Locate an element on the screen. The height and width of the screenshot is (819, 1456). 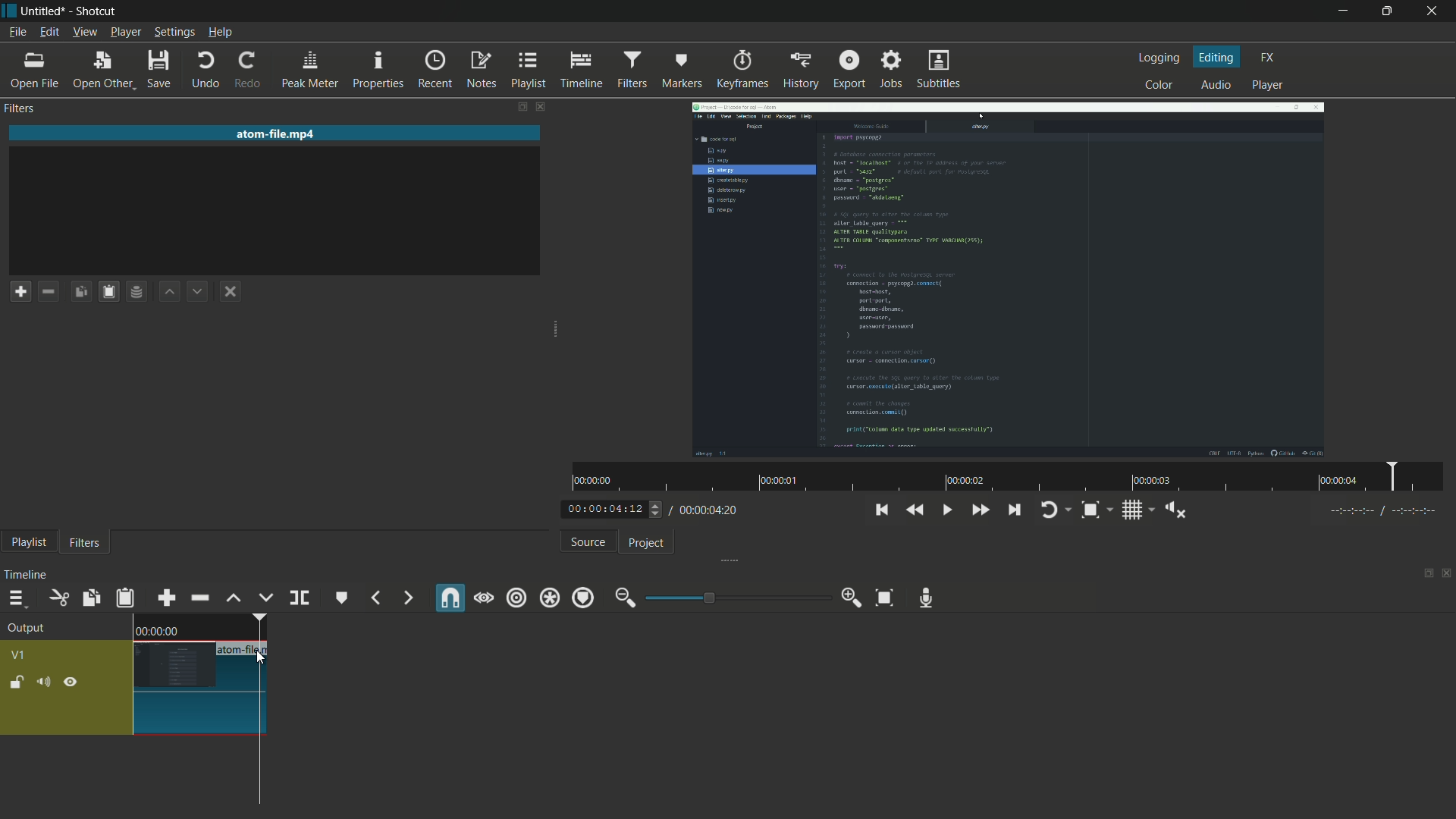
fx is located at coordinates (1266, 58).